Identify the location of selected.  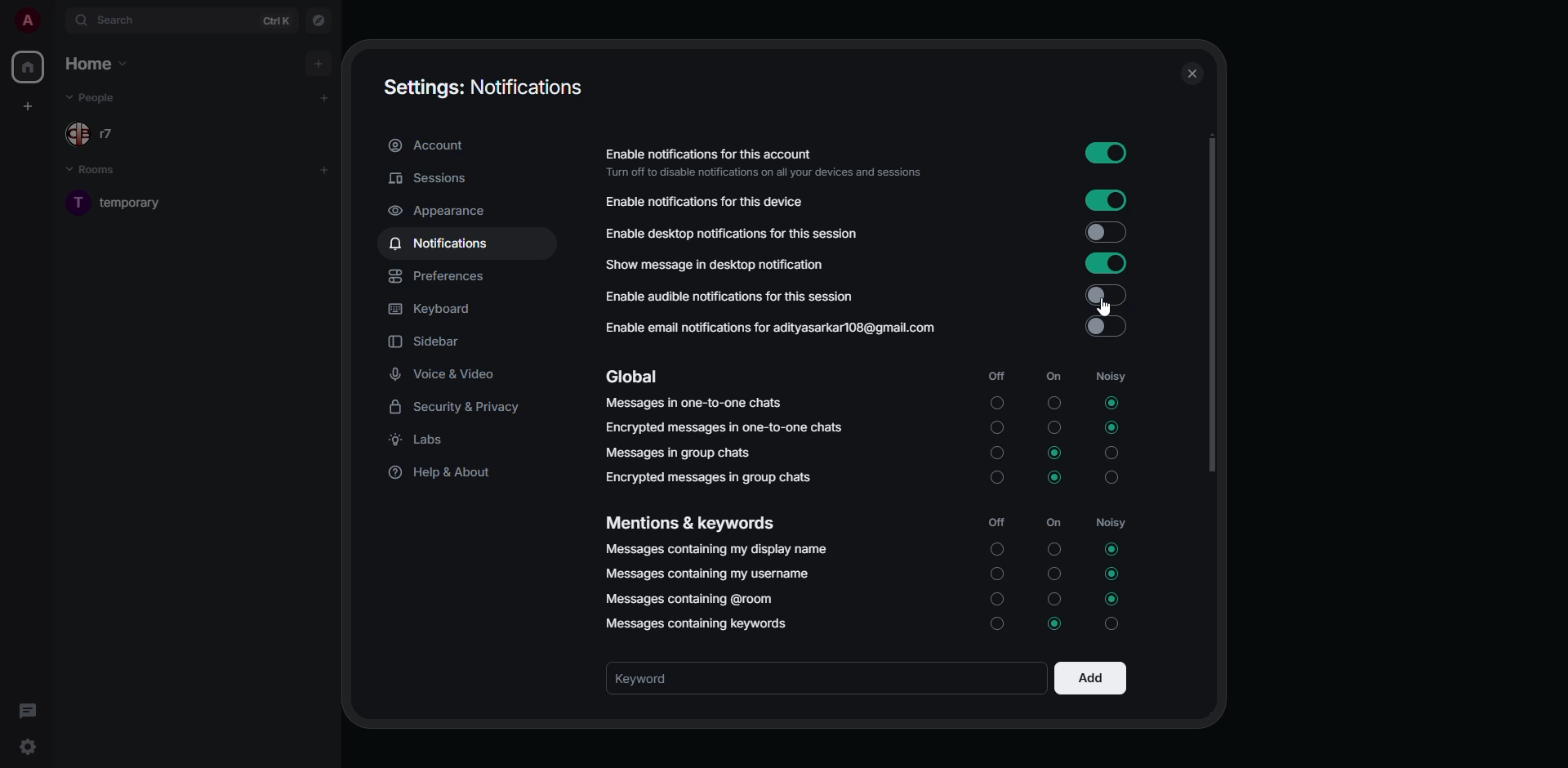
(1114, 599).